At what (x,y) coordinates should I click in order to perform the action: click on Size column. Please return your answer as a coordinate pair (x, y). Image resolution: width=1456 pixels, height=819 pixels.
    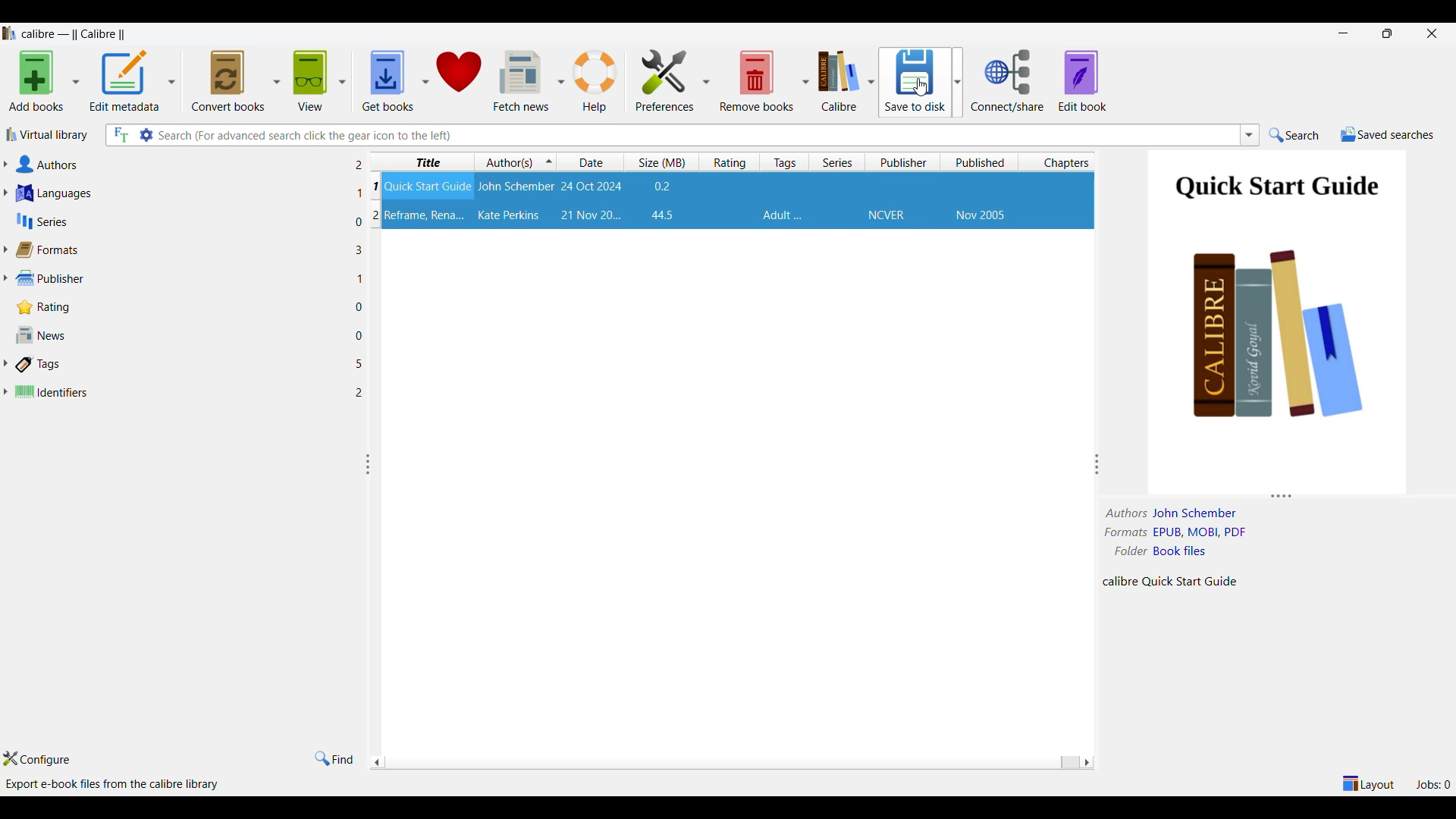
    Looking at the image, I should click on (665, 162).